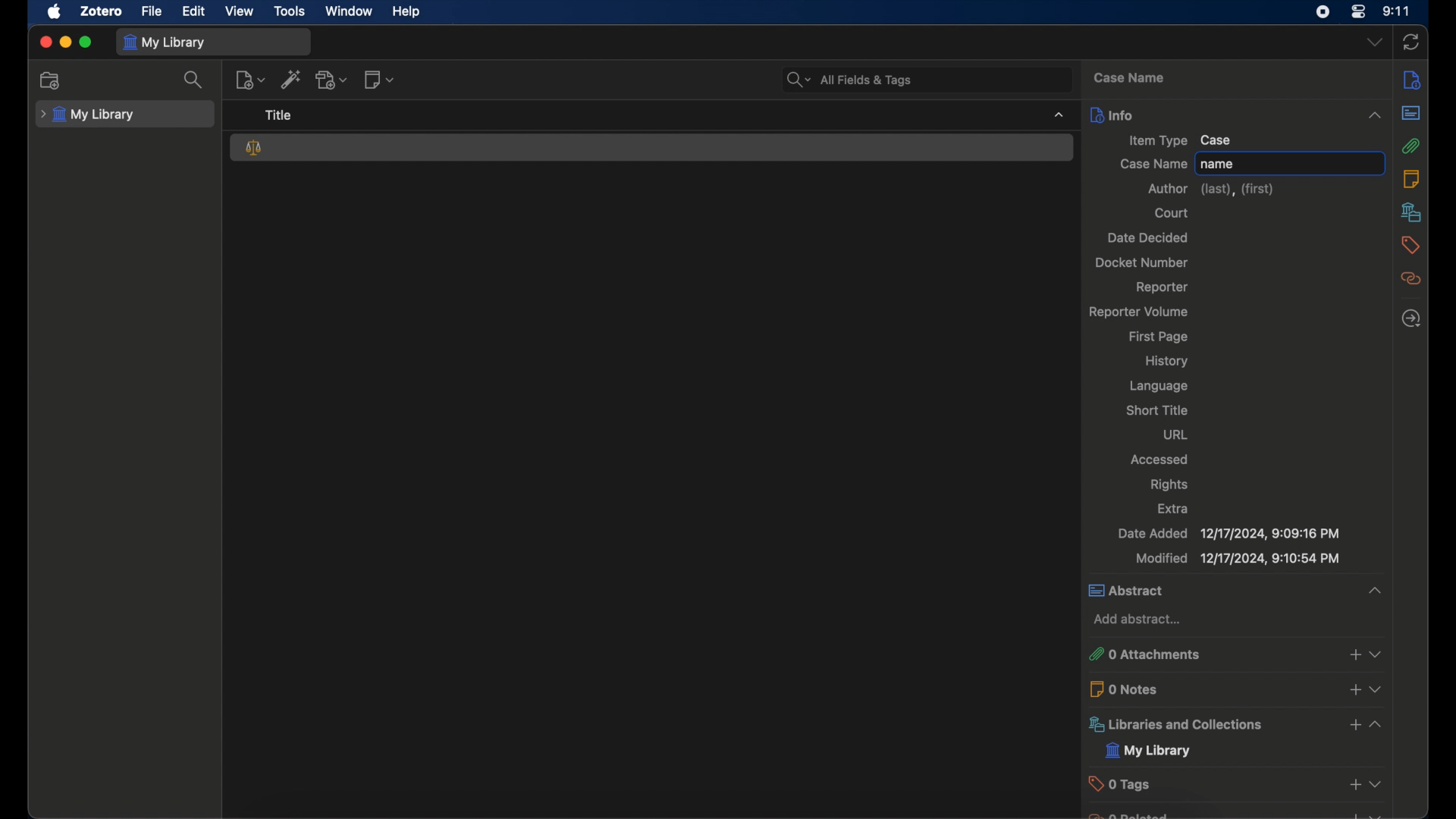 This screenshot has height=819, width=1456. I want to click on accessed, so click(1159, 460).